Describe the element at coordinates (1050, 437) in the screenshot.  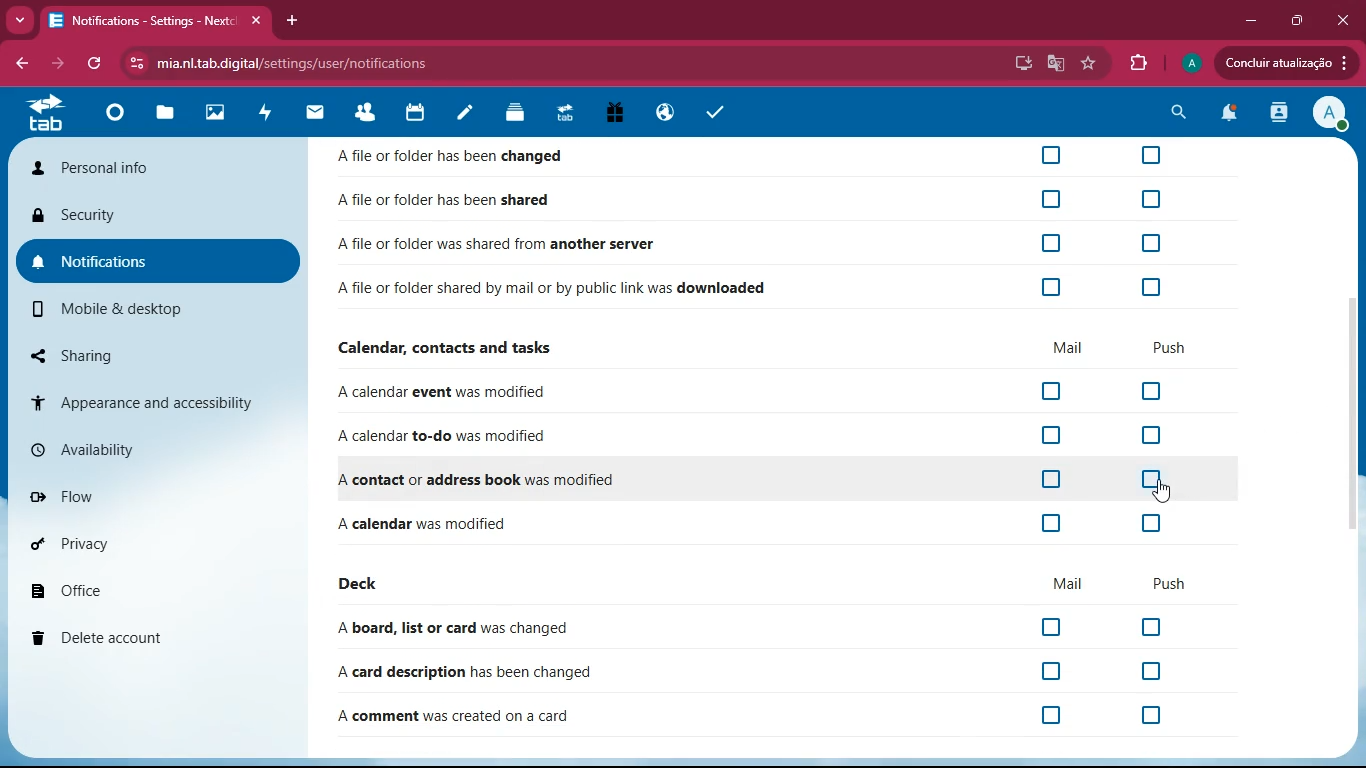
I see `off` at that location.